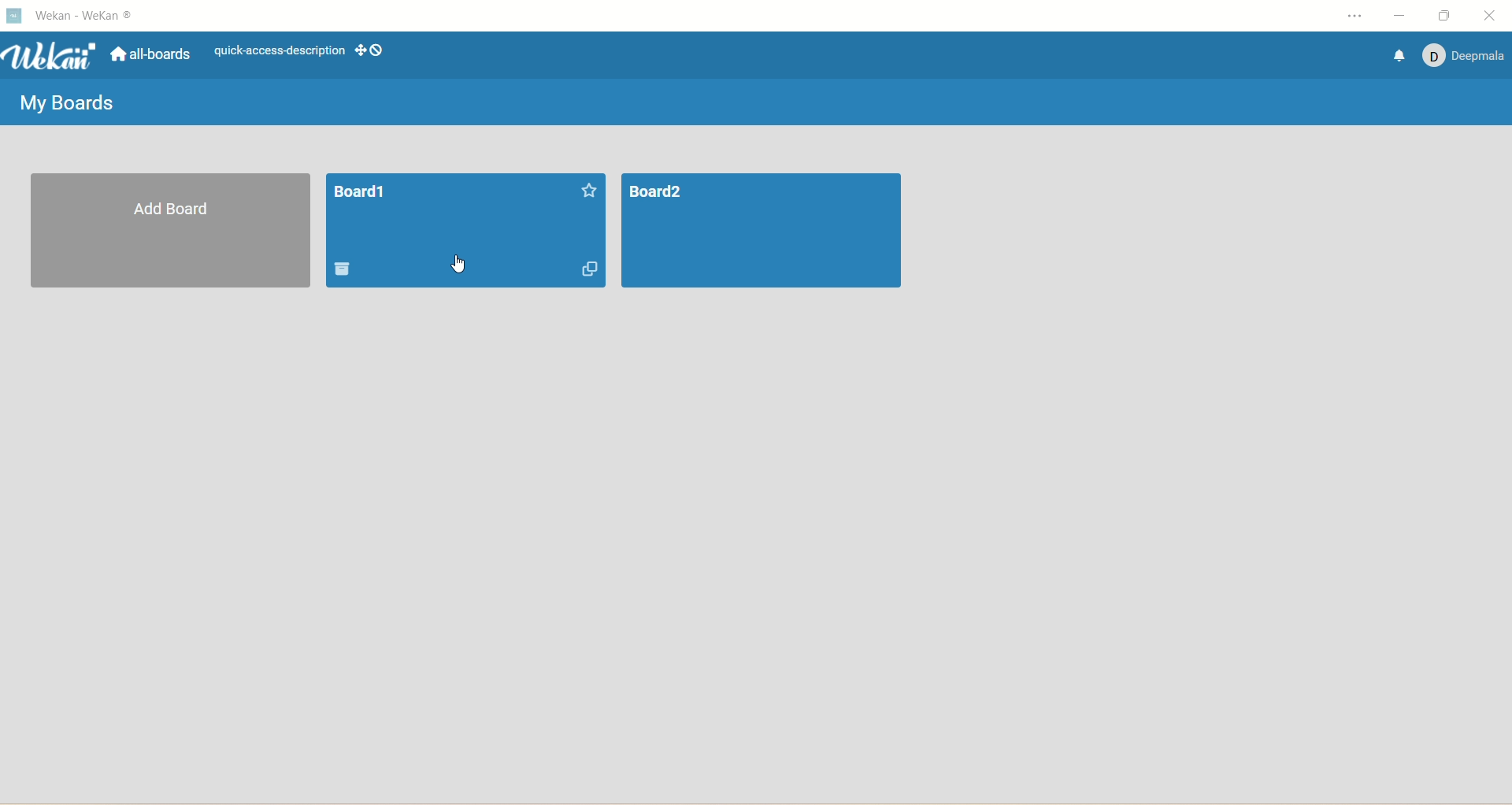 The image size is (1512, 805). Describe the element at coordinates (769, 234) in the screenshot. I see `board2` at that location.